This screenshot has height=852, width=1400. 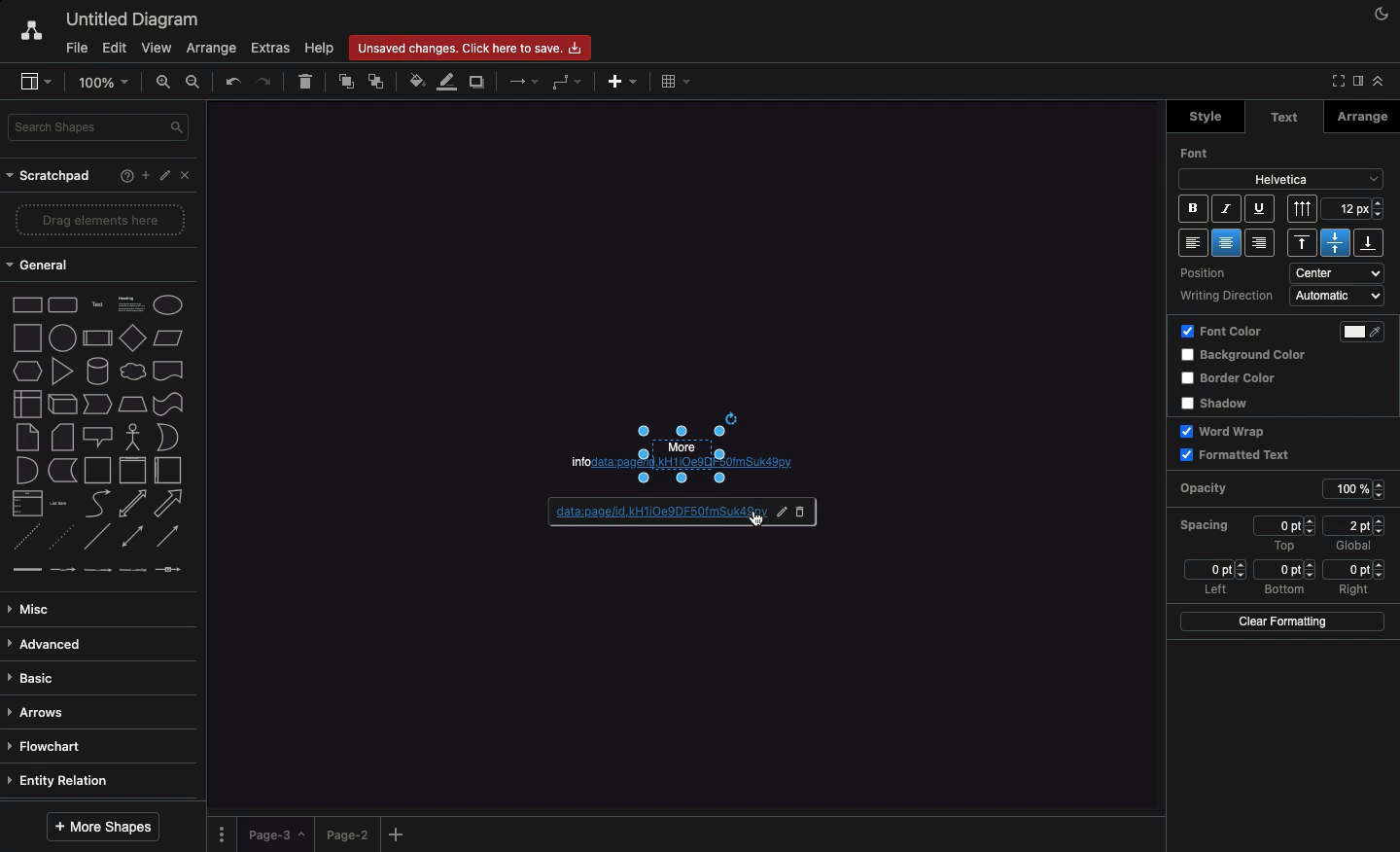 What do you see at coordinates (1228, 297) in the screenshot?
I see `Writing direction` at bounding box center [1228, 297].